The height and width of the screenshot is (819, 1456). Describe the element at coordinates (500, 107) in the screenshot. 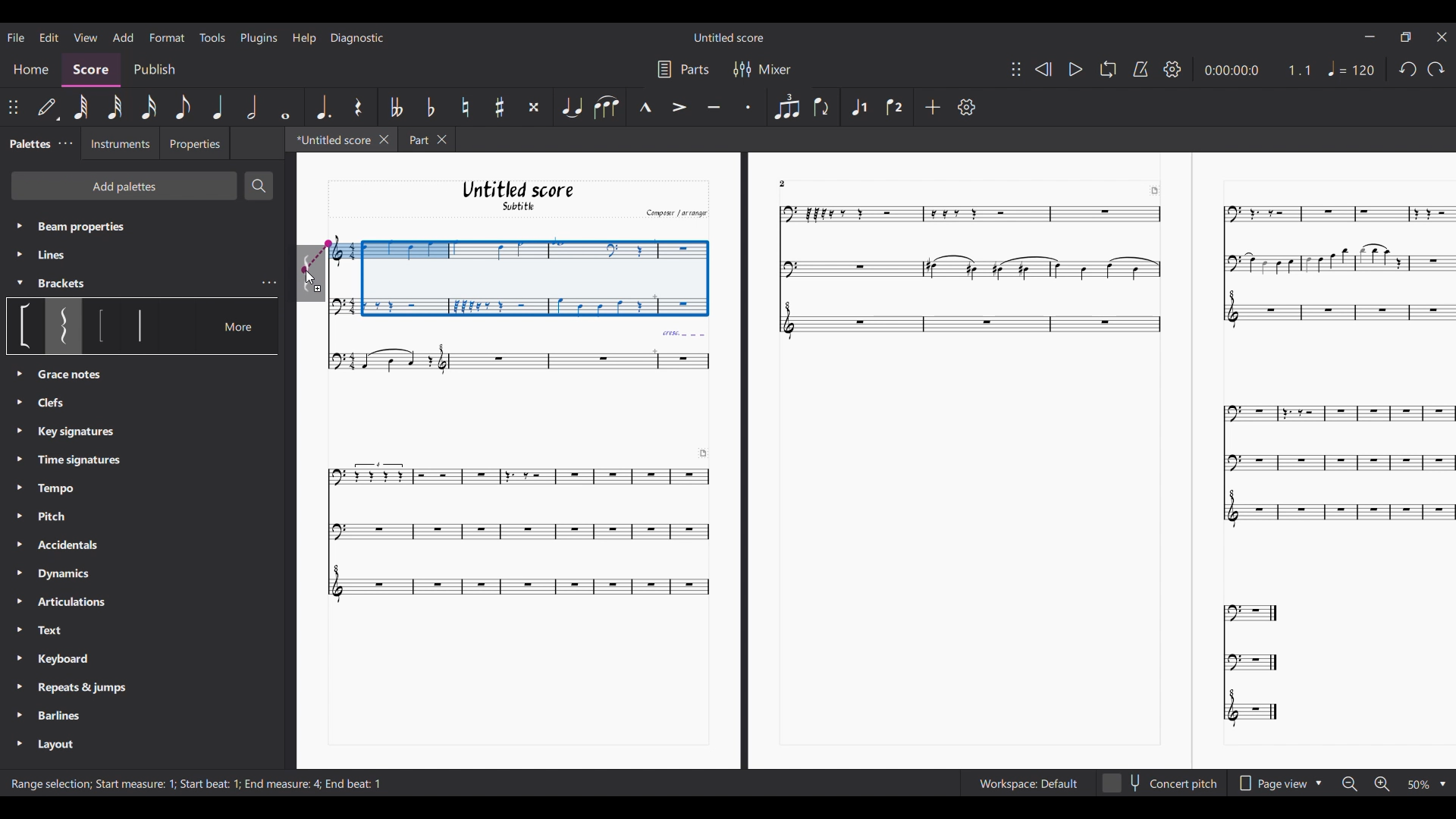

I see `Toggle sharp` at that location.